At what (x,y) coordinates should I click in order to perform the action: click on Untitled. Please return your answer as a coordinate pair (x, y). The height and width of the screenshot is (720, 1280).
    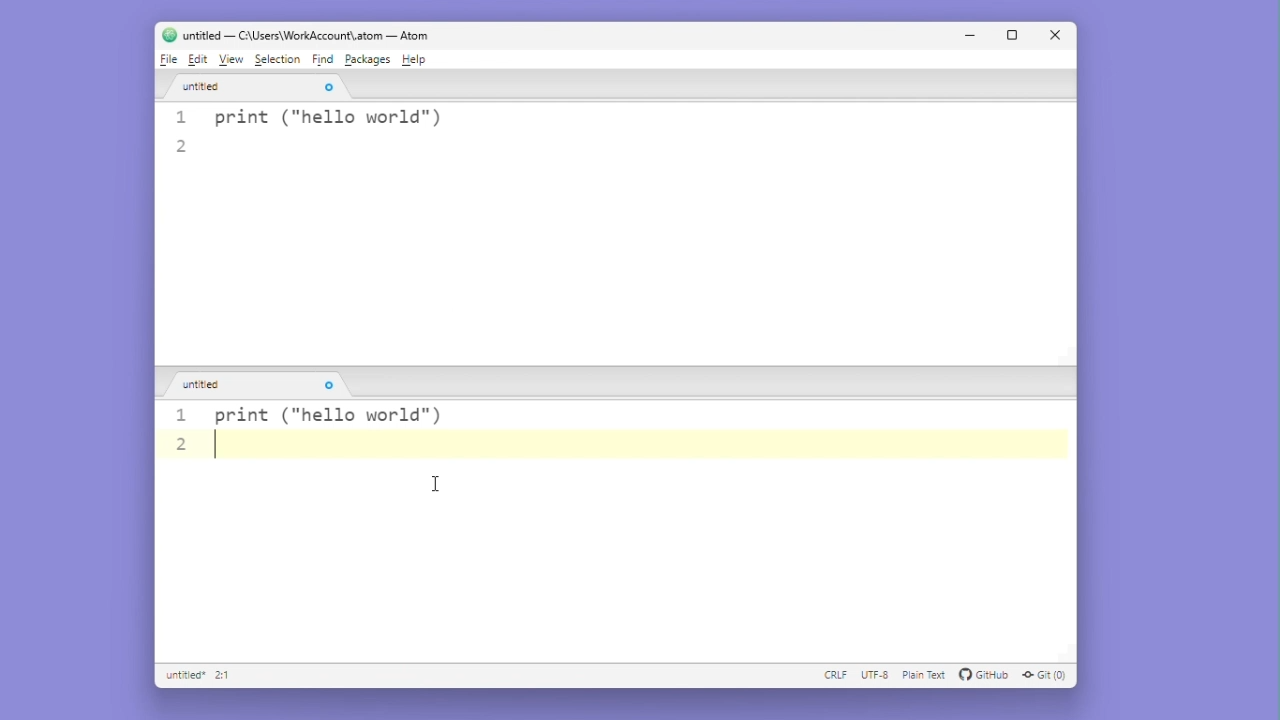
    Looking at the image, I should click on (255, 91).